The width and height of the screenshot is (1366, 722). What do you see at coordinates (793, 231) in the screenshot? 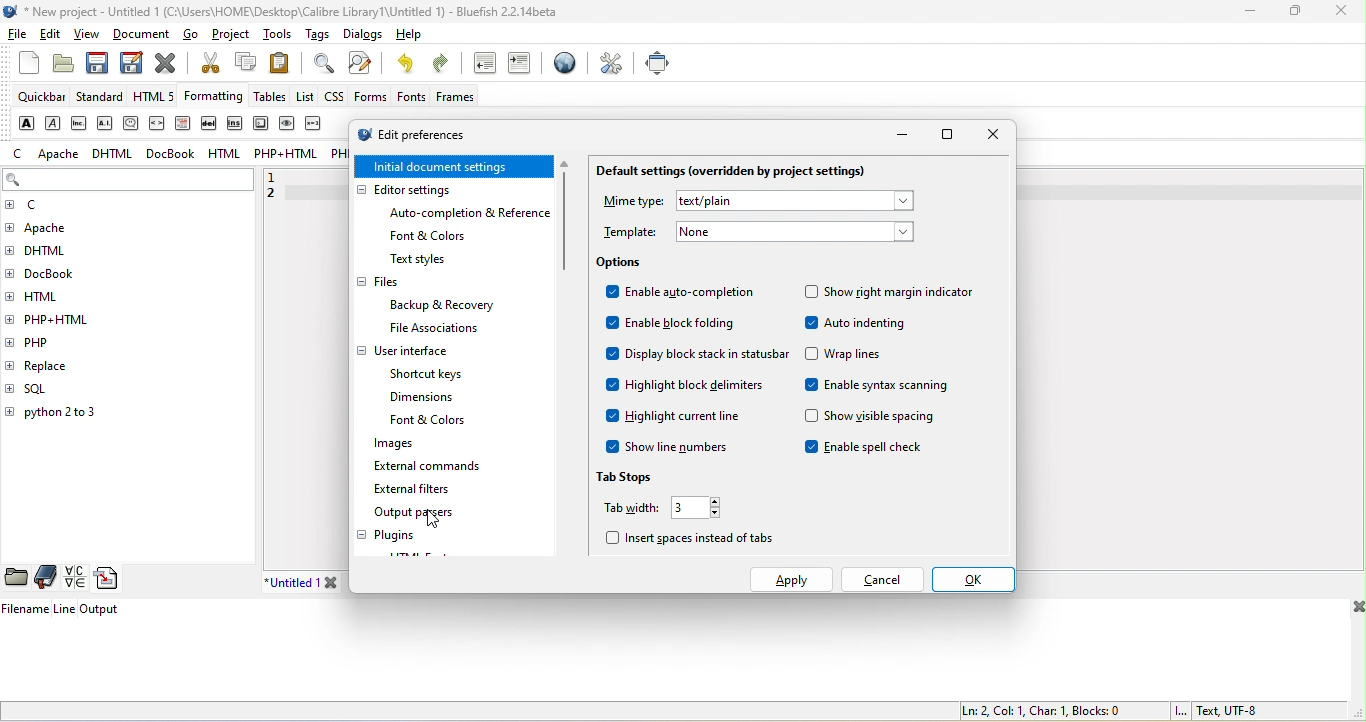
I see `none` at bounding box center [793, 231].